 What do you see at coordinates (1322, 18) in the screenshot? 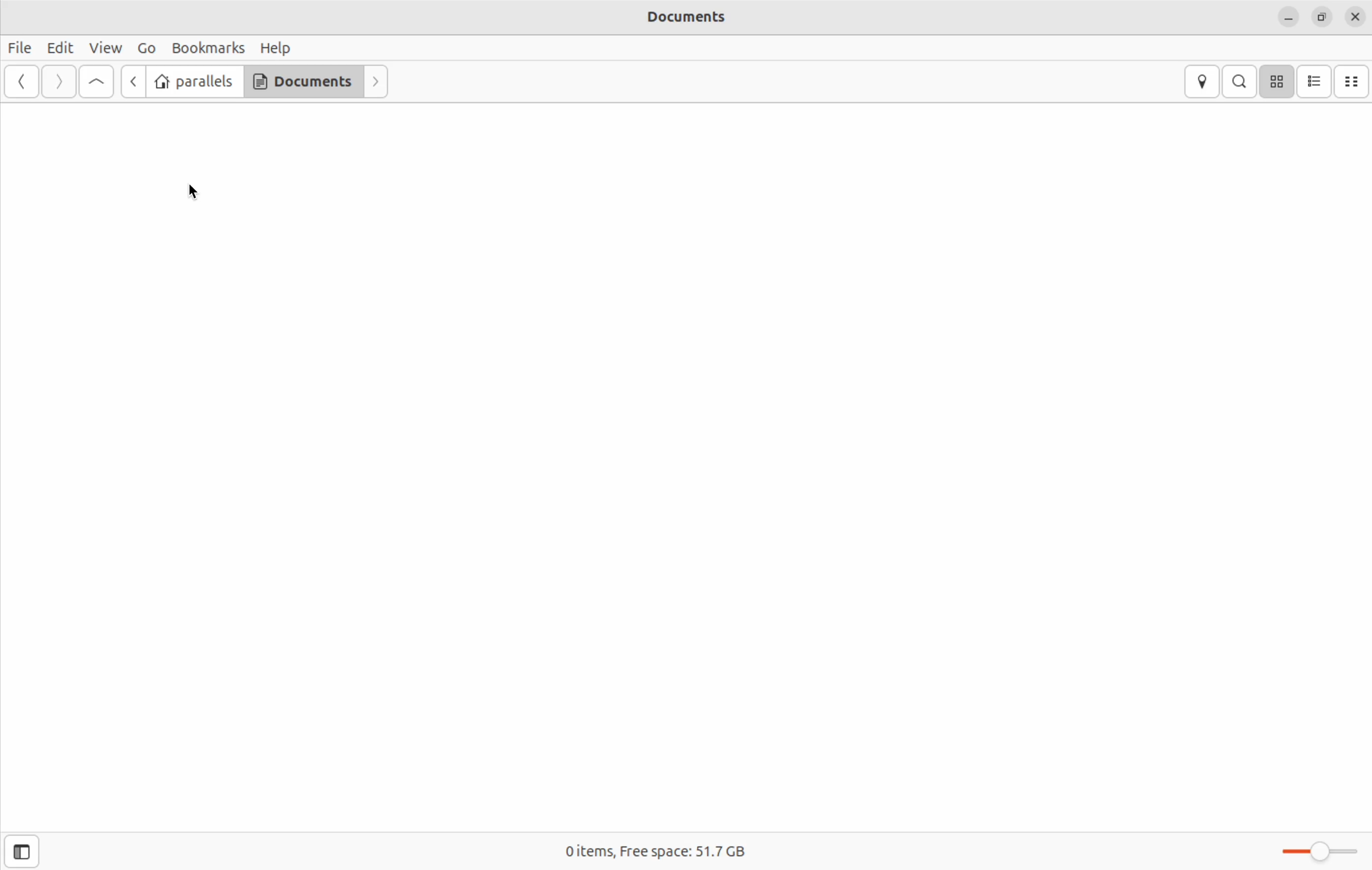
I see `resize` at bounding box center [1322, 18].